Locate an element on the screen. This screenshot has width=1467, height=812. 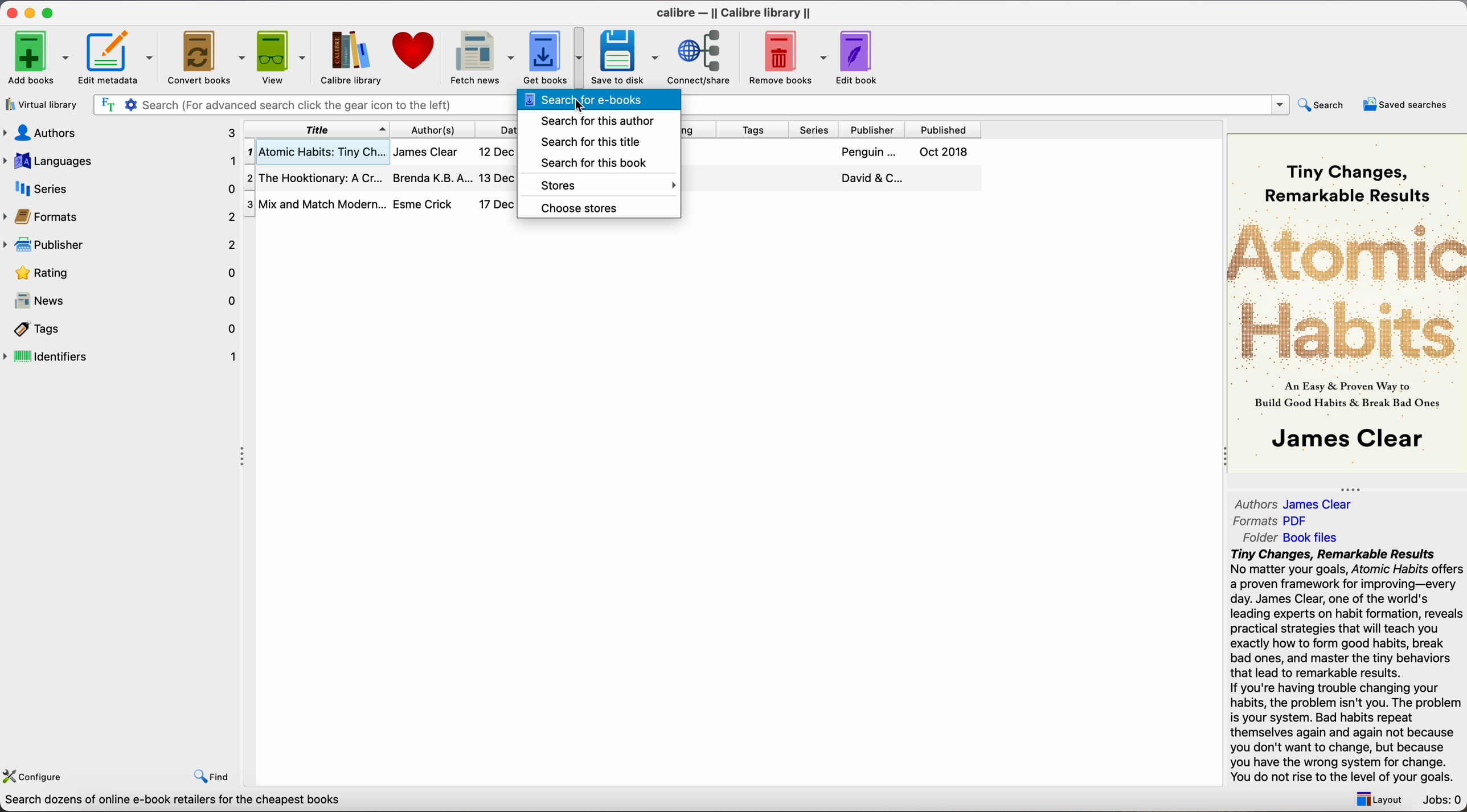
save to disk is located at coordinates (625, 58).